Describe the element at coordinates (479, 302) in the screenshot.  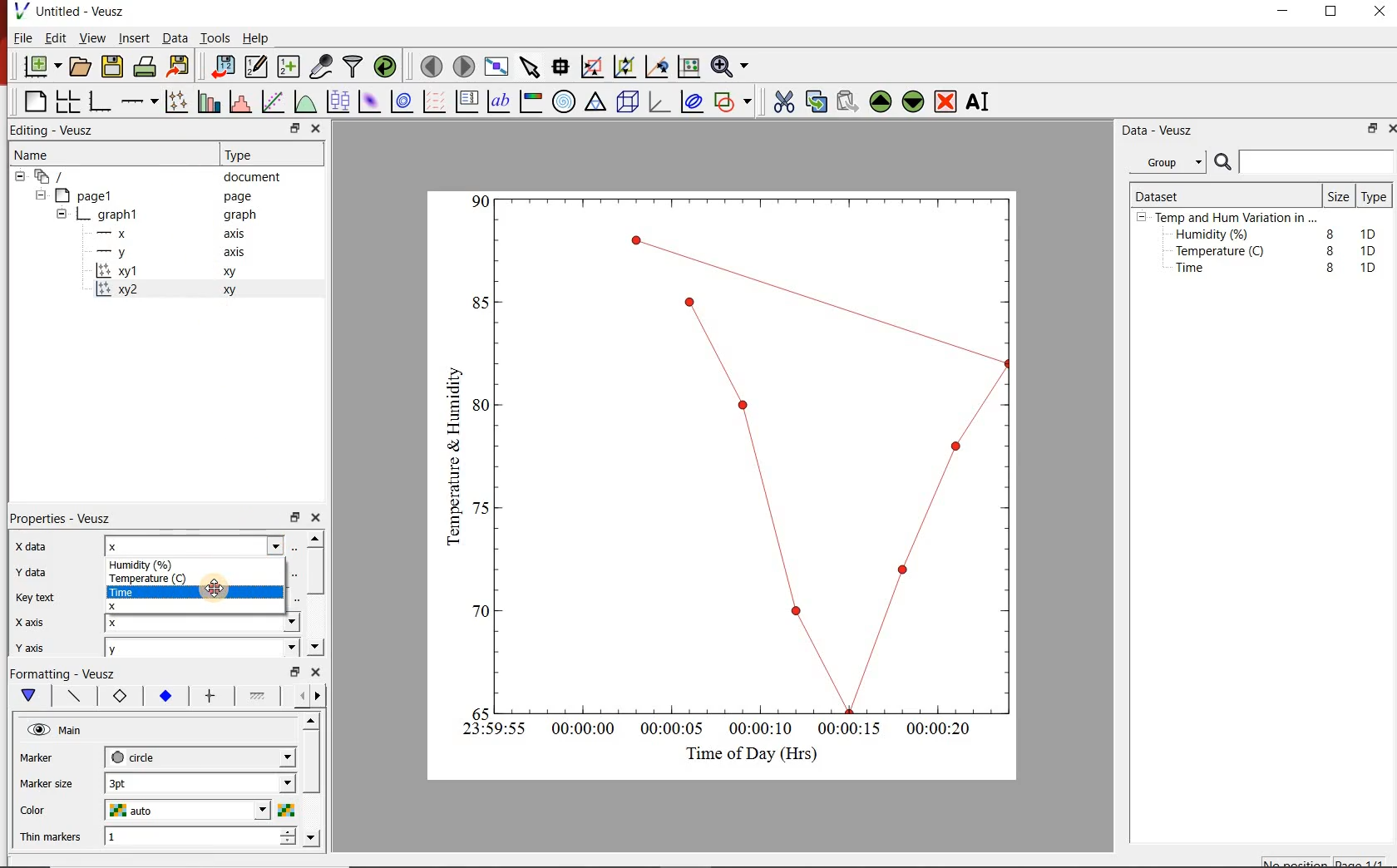
I see `0.8` at that location.